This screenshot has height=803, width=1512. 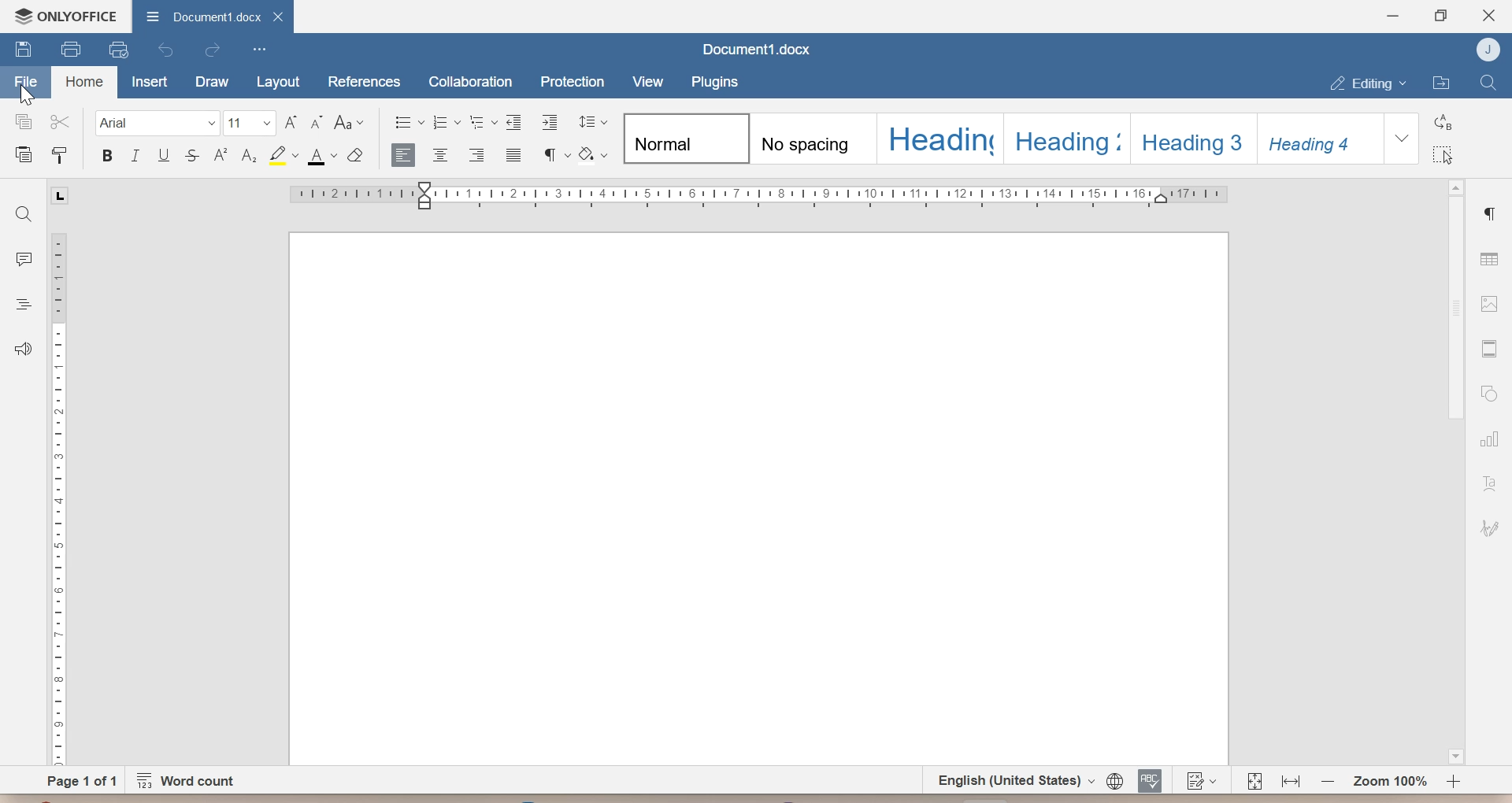 What do you see at coordinates (1328, 779) in the screenshot?
I see `Zoom out` at bounding box center [1328, 779].